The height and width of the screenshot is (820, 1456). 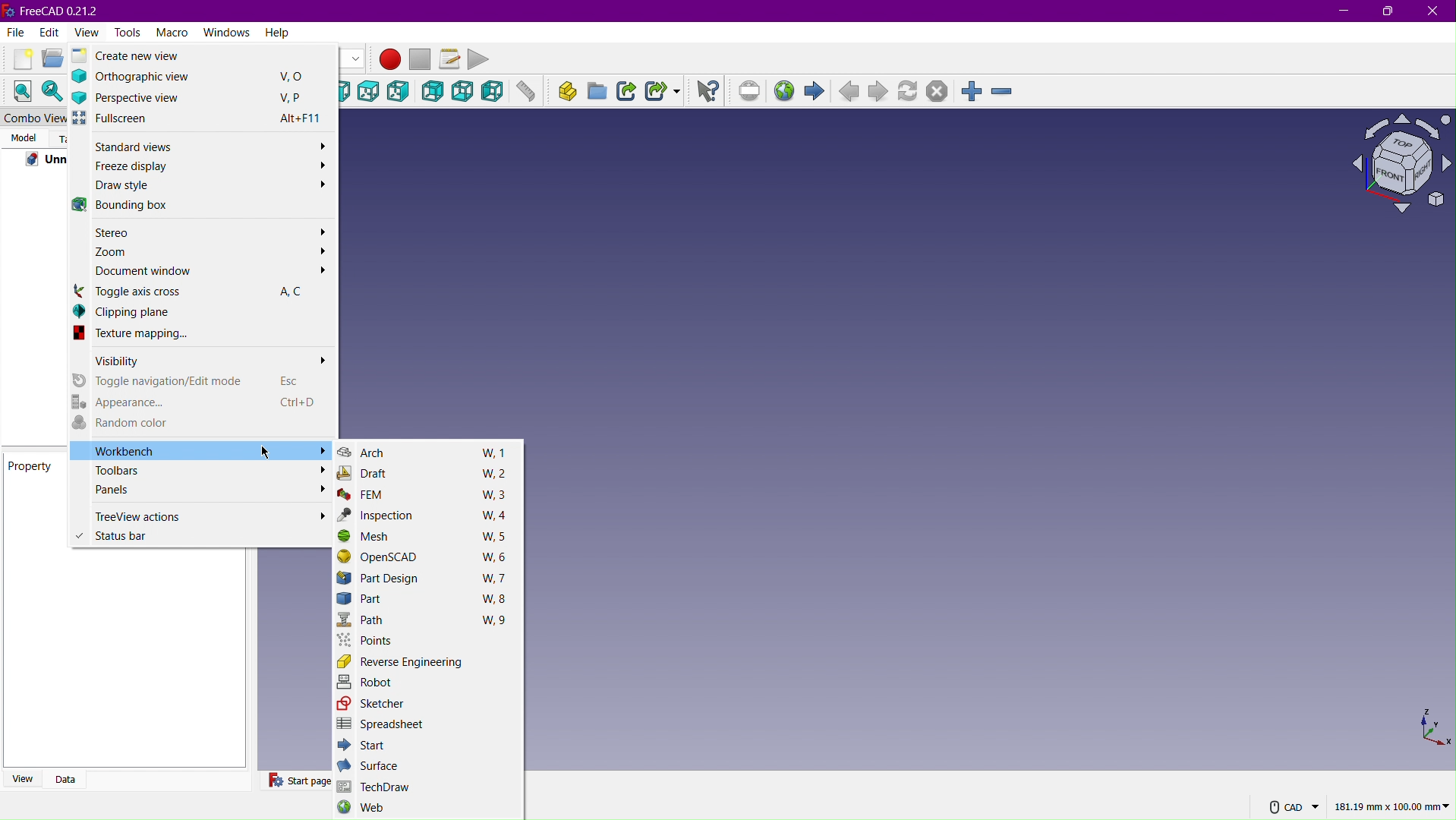 What do you see at coordinates (201, 294) in the screenshot?
I see `Toggle axis cross AC` at bounding box center [201, 294].